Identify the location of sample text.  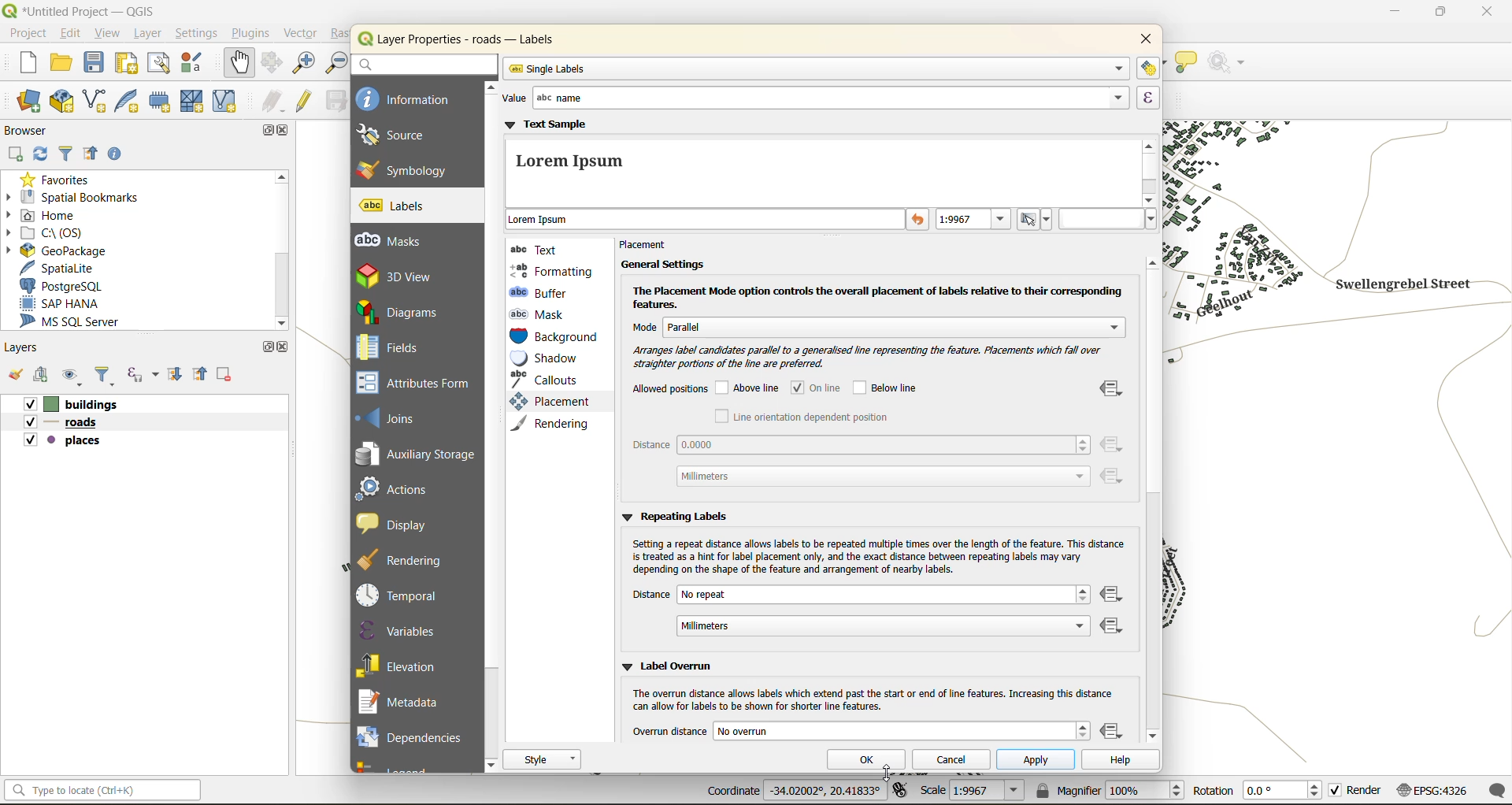
(706, 221).